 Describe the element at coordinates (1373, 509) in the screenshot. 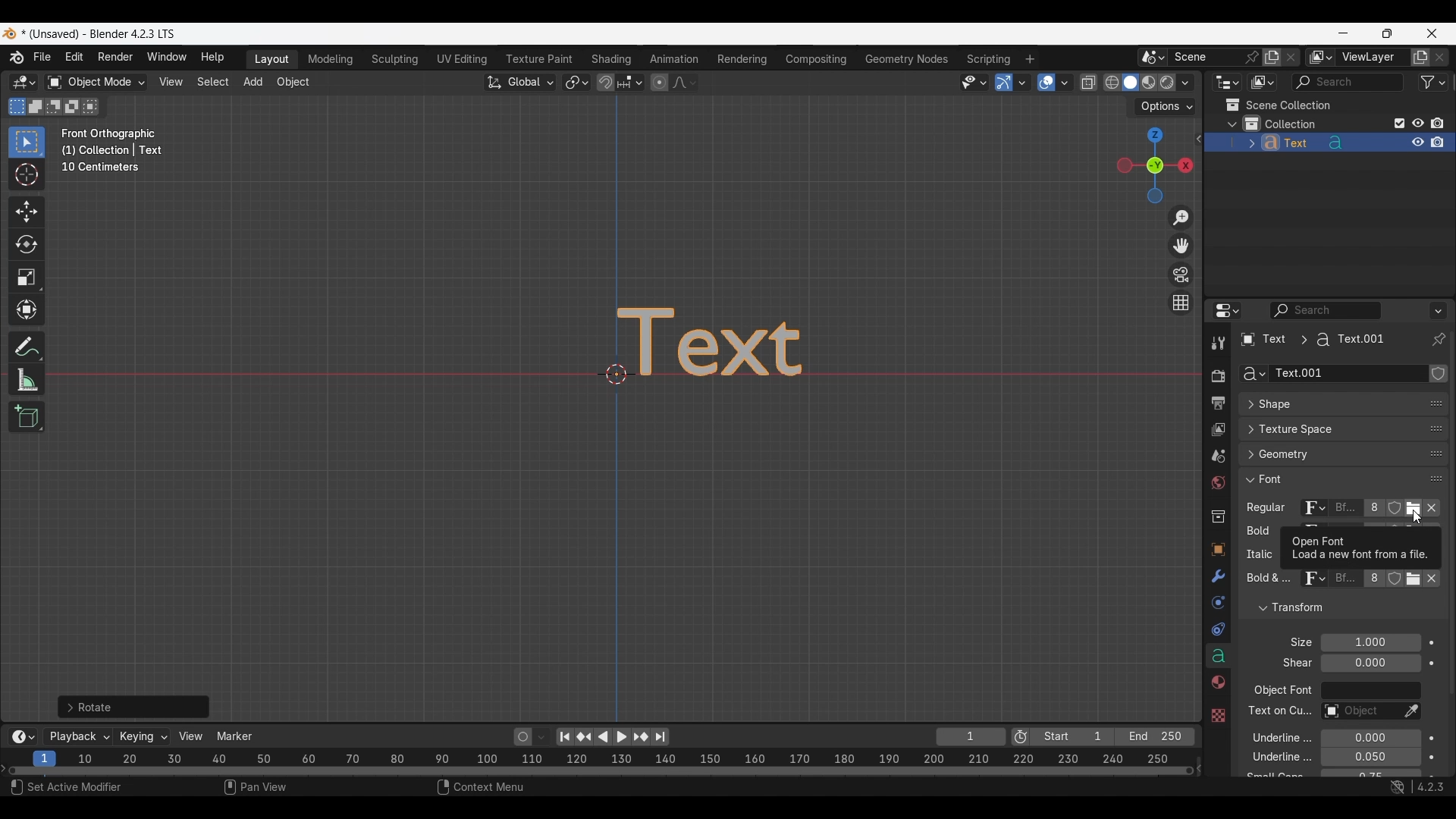

I see `Display number of users of this data for respective attribute` at that location.